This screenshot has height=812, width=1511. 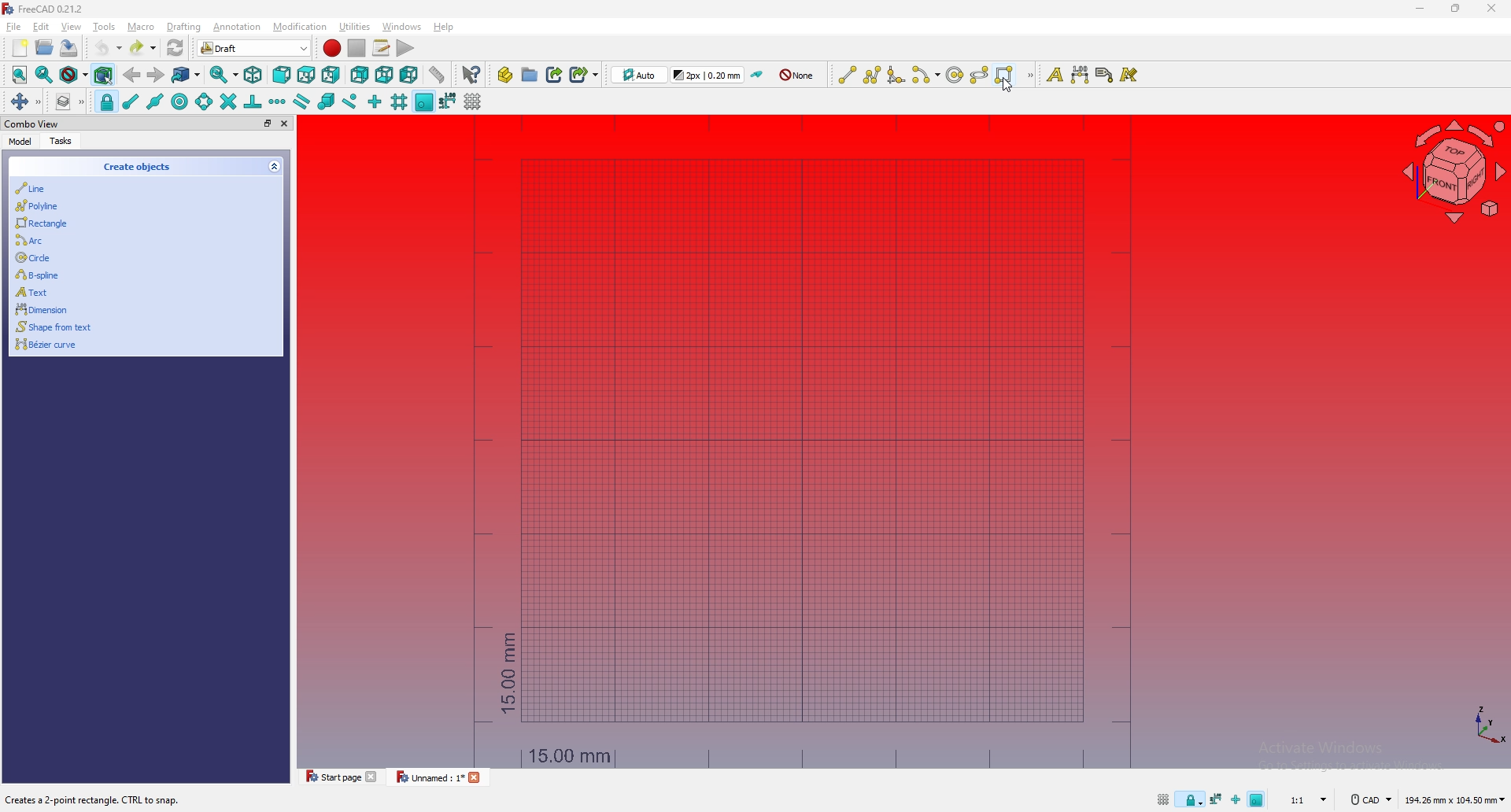 What do you see at coordinates (1162, 800) in the screenshot?
I see `toggle grid` at bounding box center [1162, 800].